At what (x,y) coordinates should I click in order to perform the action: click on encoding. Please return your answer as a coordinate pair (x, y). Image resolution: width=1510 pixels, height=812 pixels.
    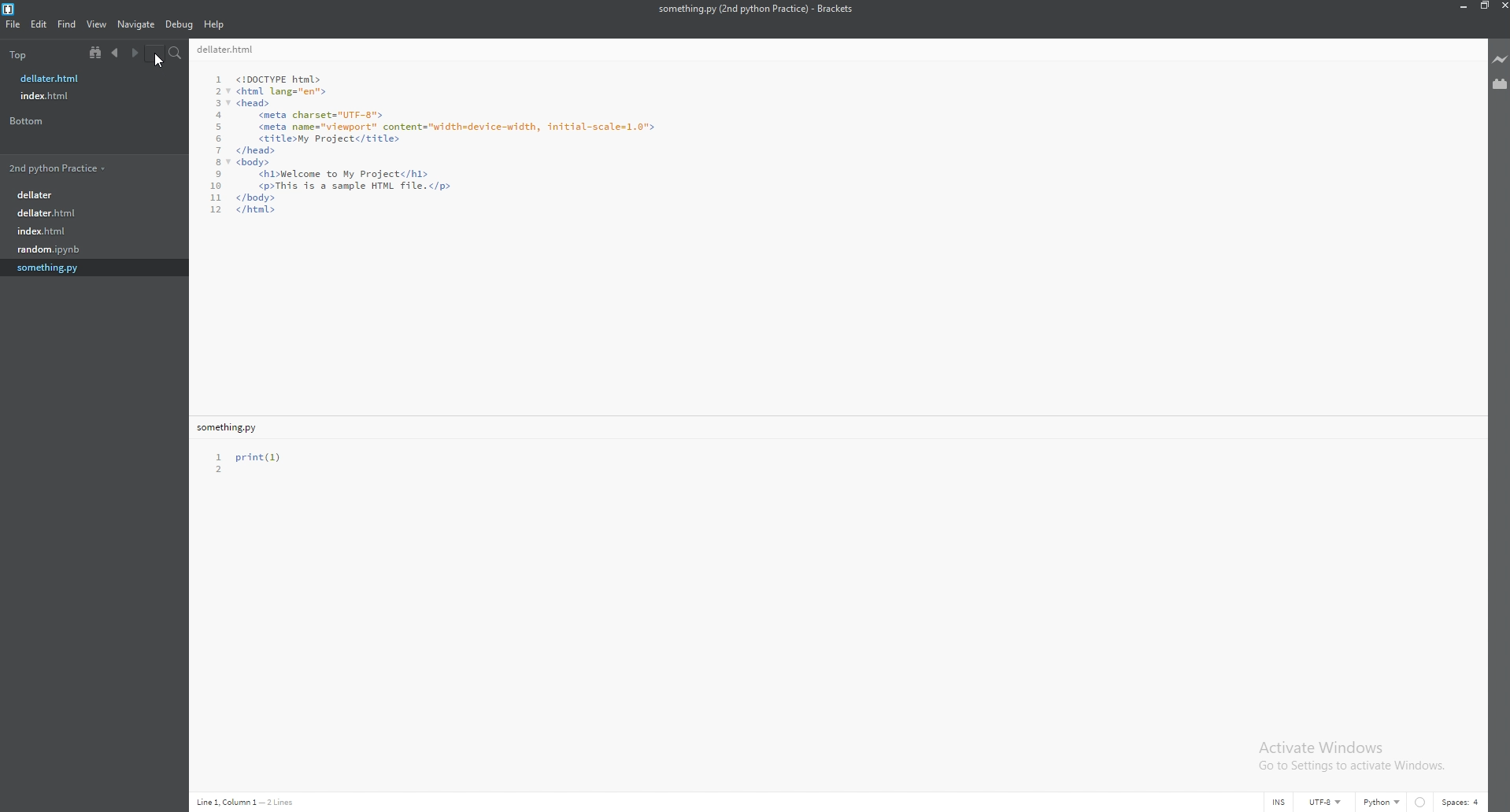
    Looking at the image, I should click on (1326, 803).